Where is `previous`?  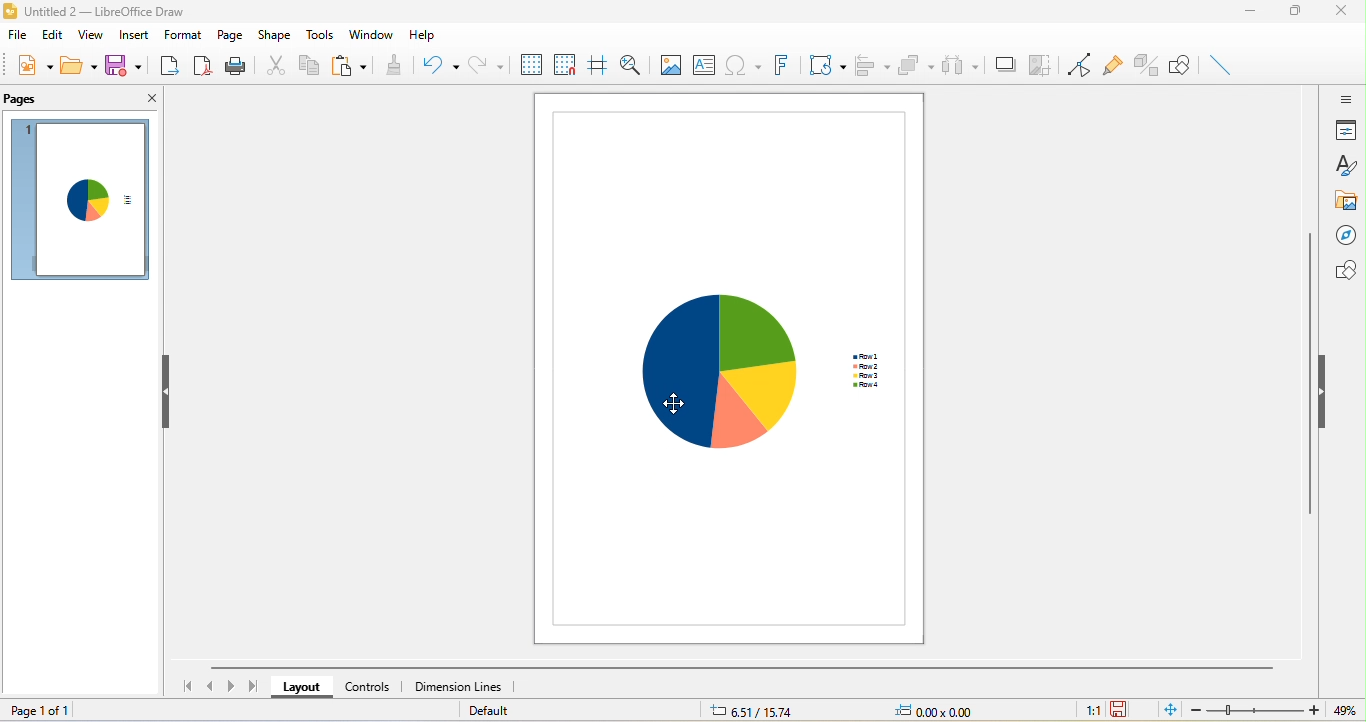
previous is located at coordinates (213, 684).